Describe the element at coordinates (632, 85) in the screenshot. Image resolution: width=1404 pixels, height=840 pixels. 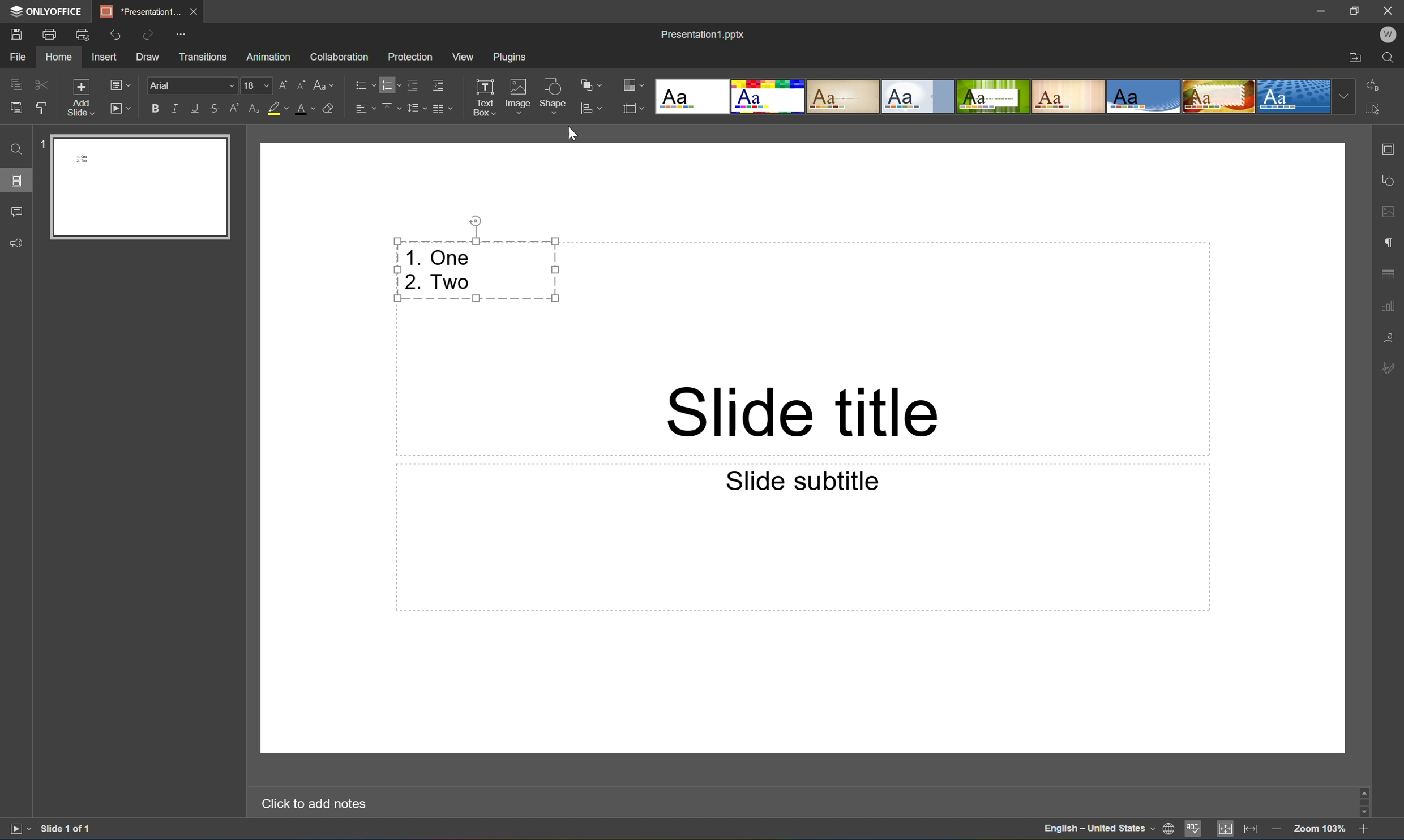
I see `Change color theme` at that location.